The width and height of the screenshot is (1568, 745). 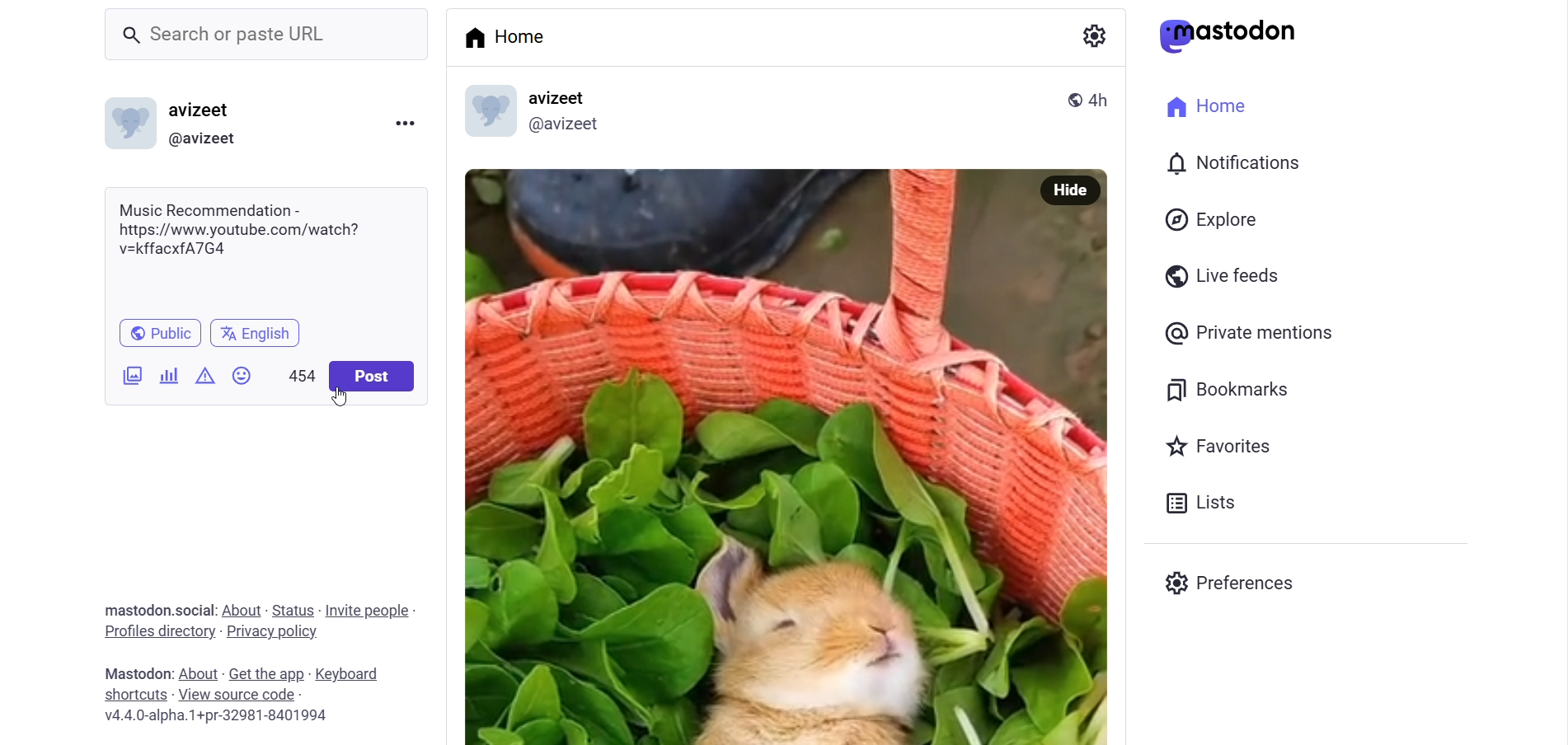 I want to click on status, so click(x=293, y=610).